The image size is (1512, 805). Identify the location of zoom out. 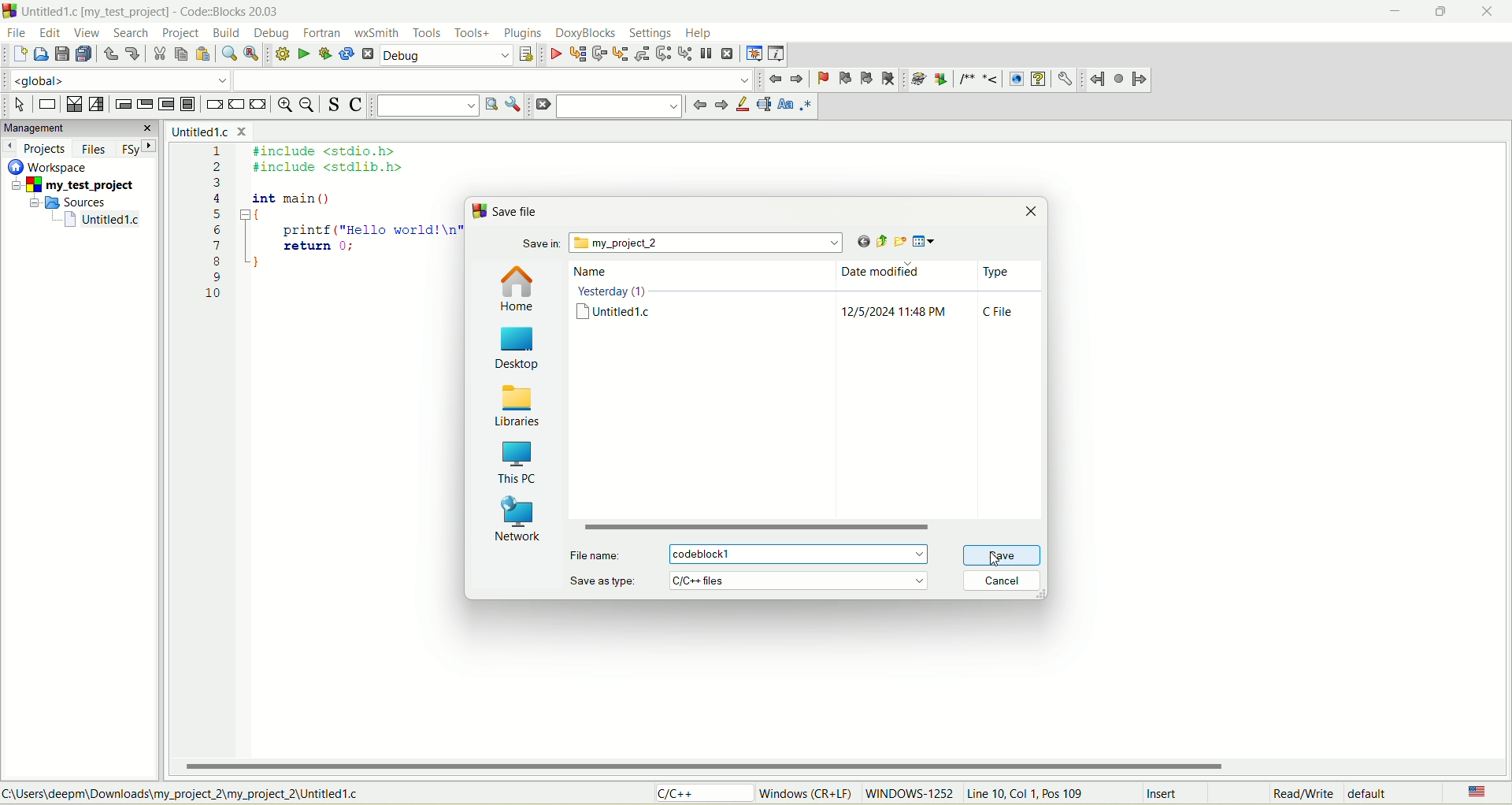
(309, 106).